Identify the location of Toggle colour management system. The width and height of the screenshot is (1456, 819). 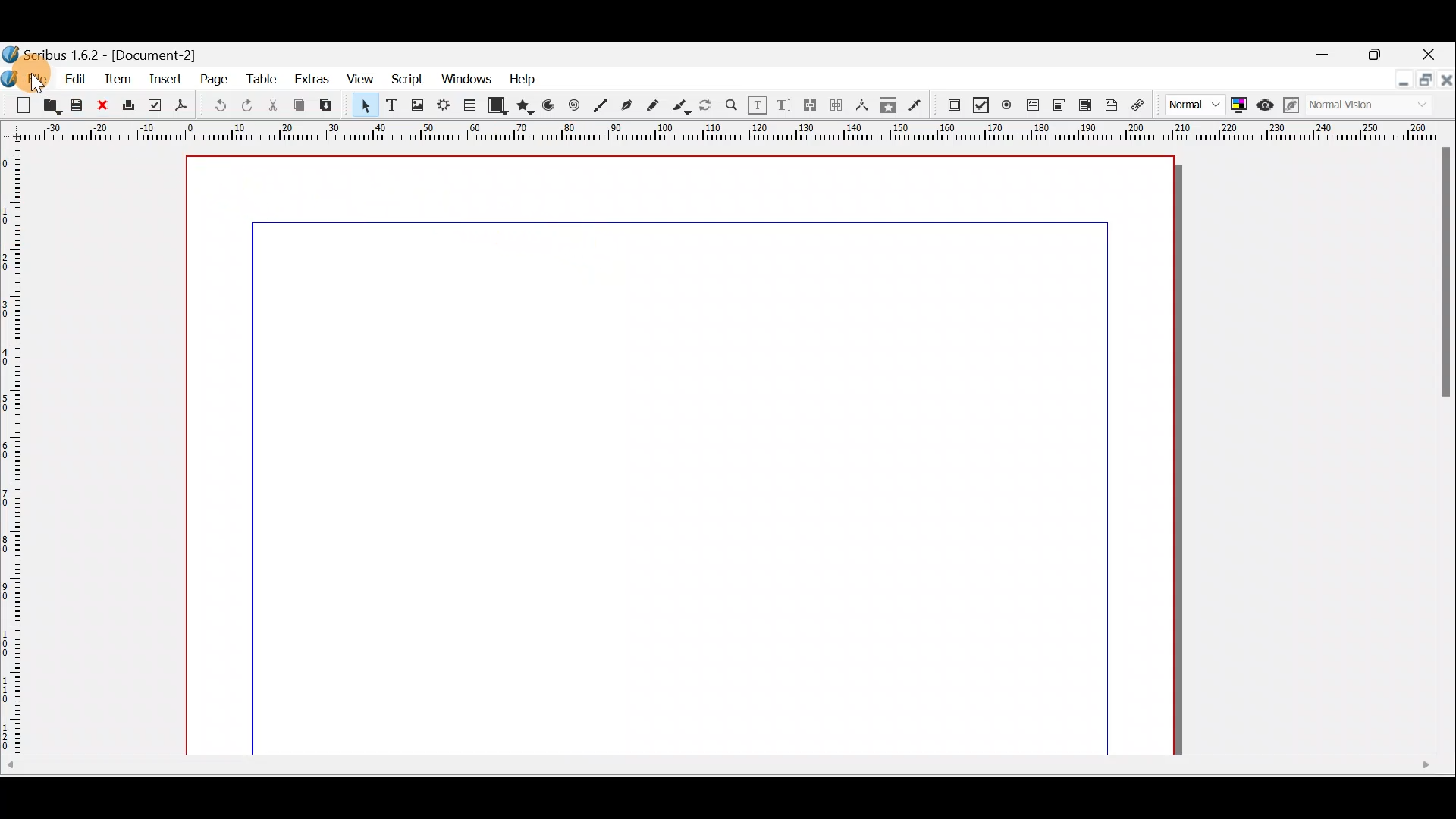
(1240, 104).